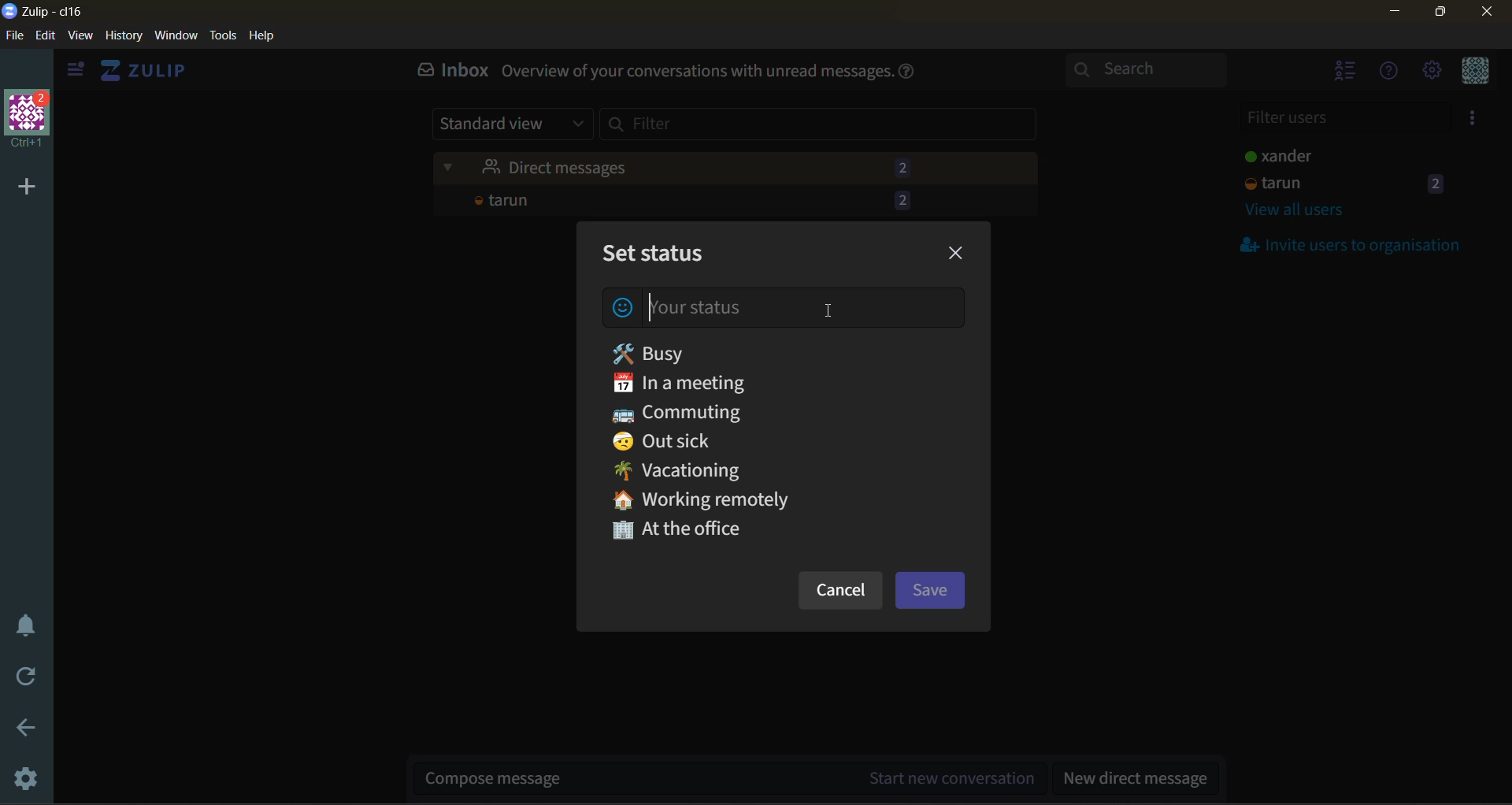 The height and width of the screenshot is (805, 1512). Describe the element at coordinates (46, 12) in the screenshot. I see `app name and organisation name` at that location.